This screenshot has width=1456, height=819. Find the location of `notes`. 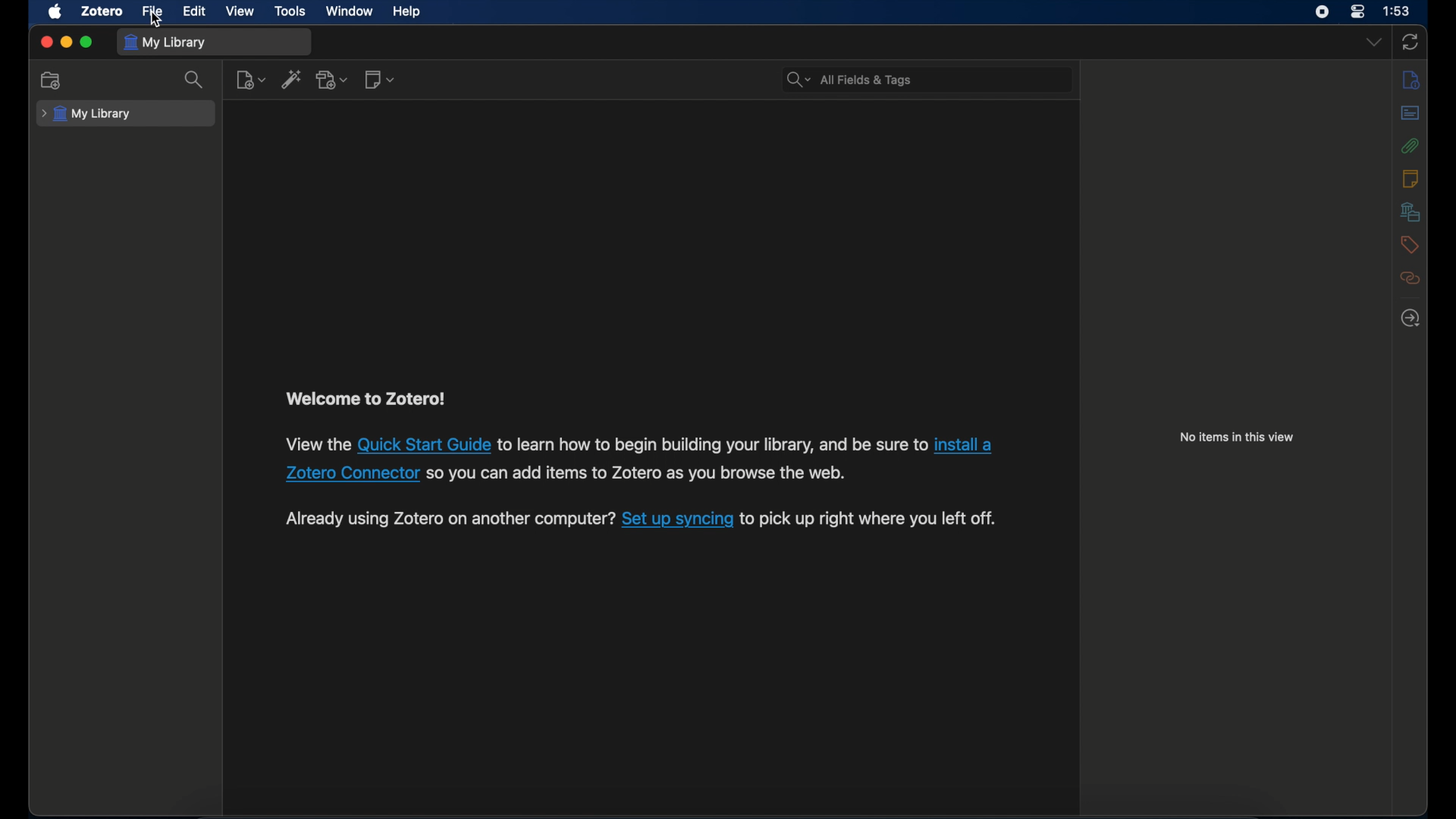

notes is located at coordinates (1411, 177).